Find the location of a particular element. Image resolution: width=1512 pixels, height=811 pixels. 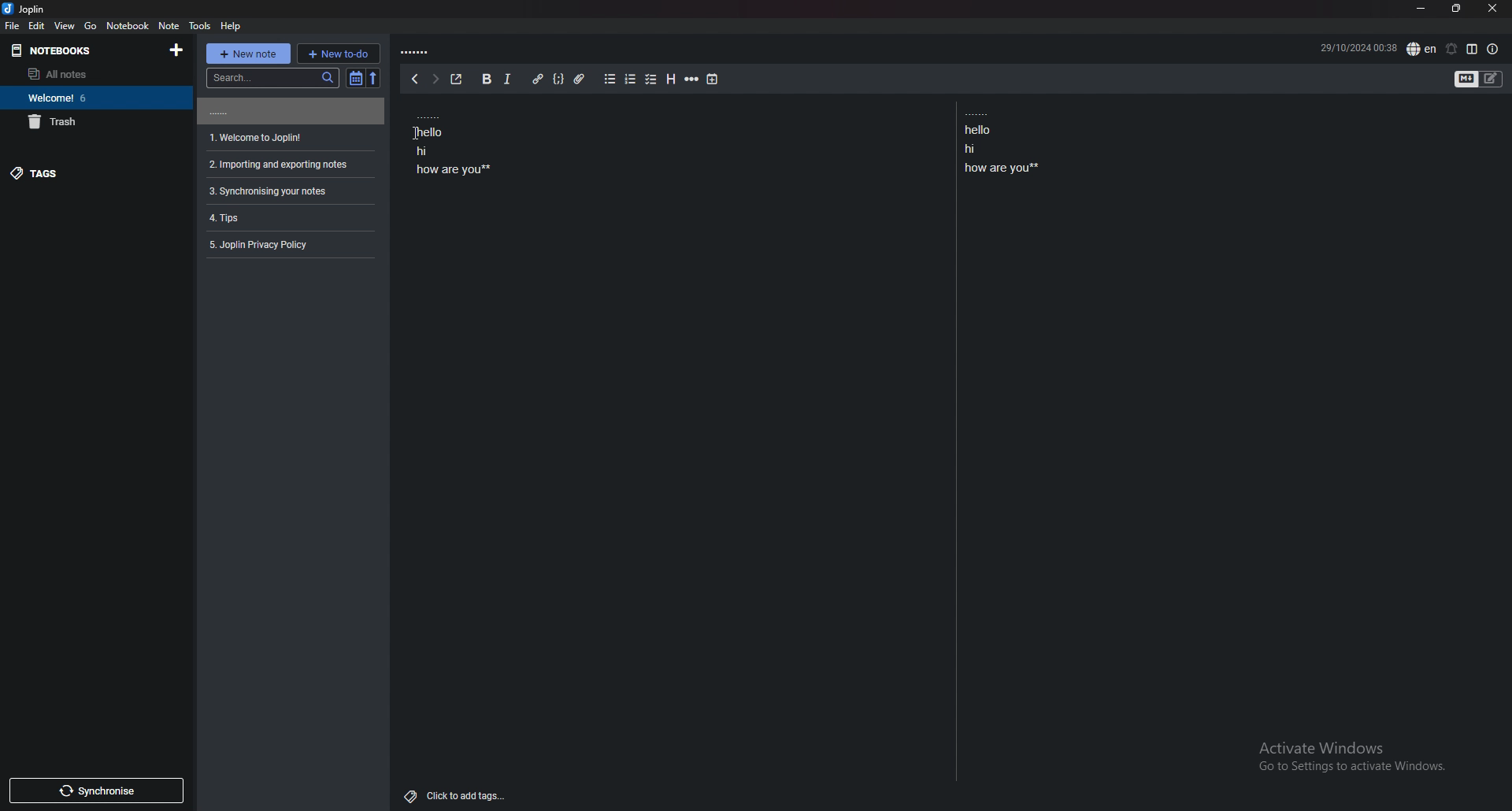

note title is located at coordinates (417, 53).